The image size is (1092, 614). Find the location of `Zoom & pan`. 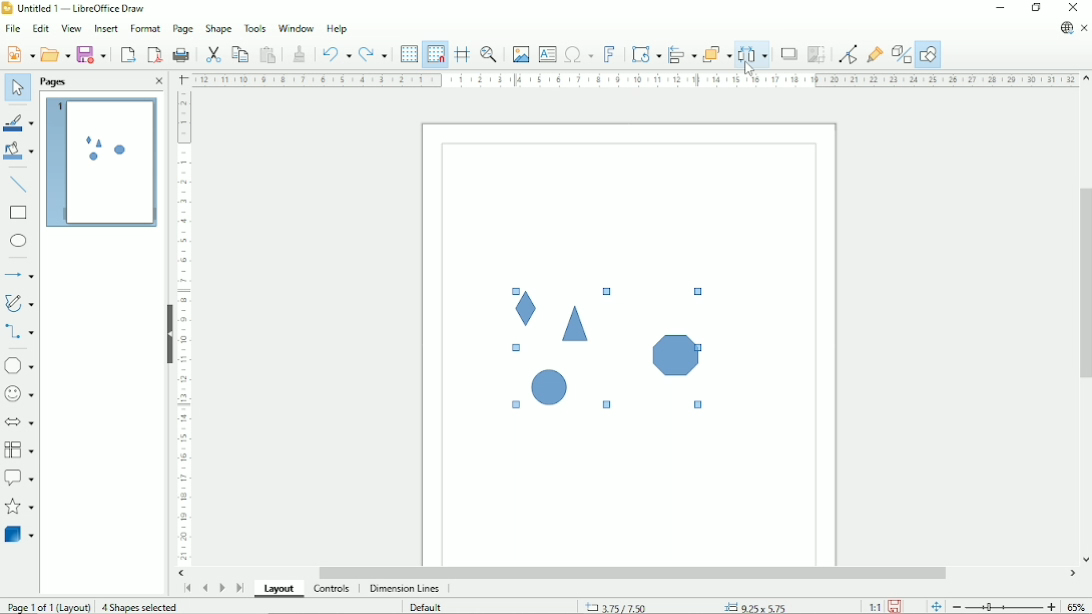

Zoom & pan is located at coordinates (489, 54).